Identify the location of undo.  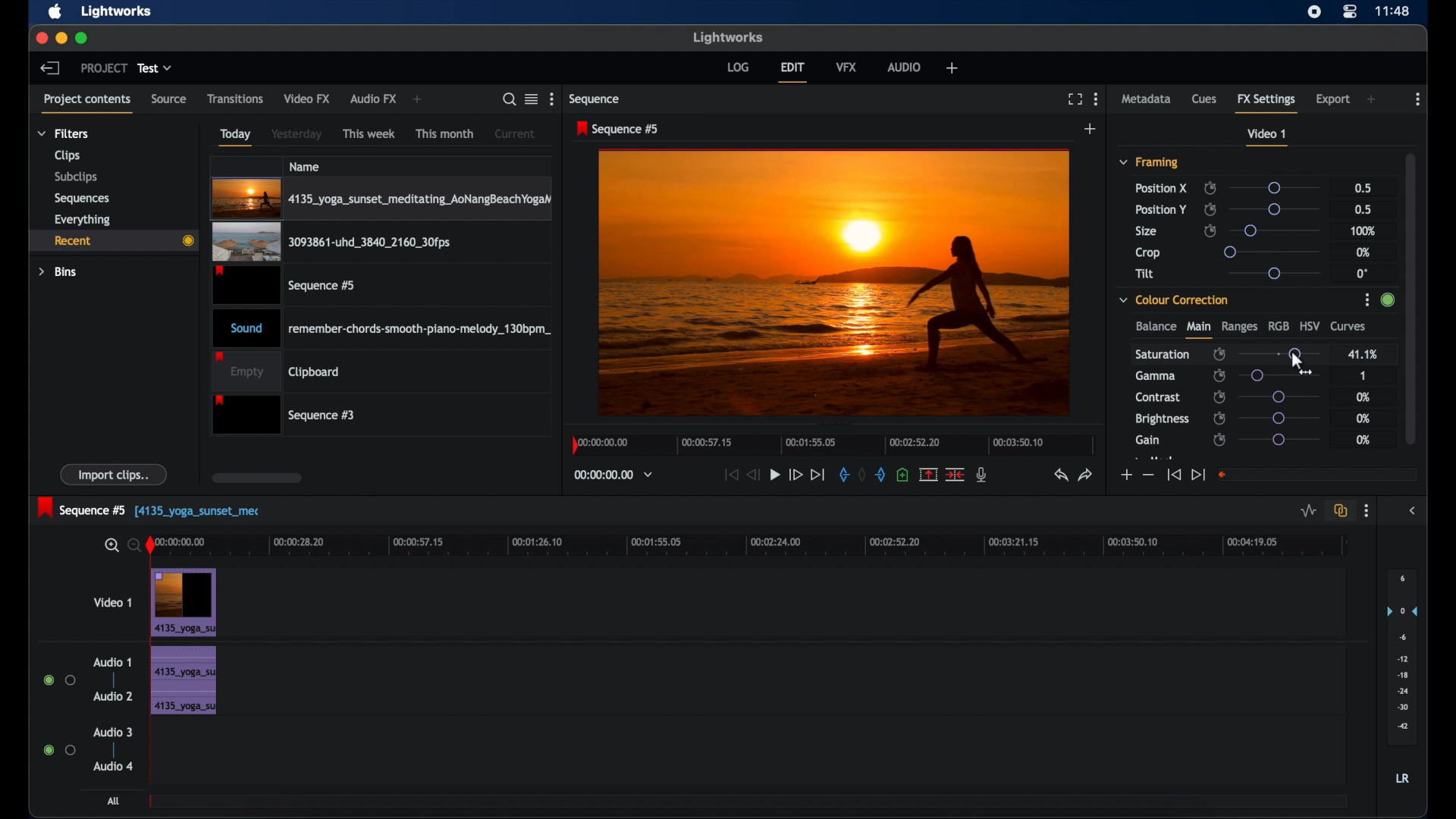
(1061, 475).